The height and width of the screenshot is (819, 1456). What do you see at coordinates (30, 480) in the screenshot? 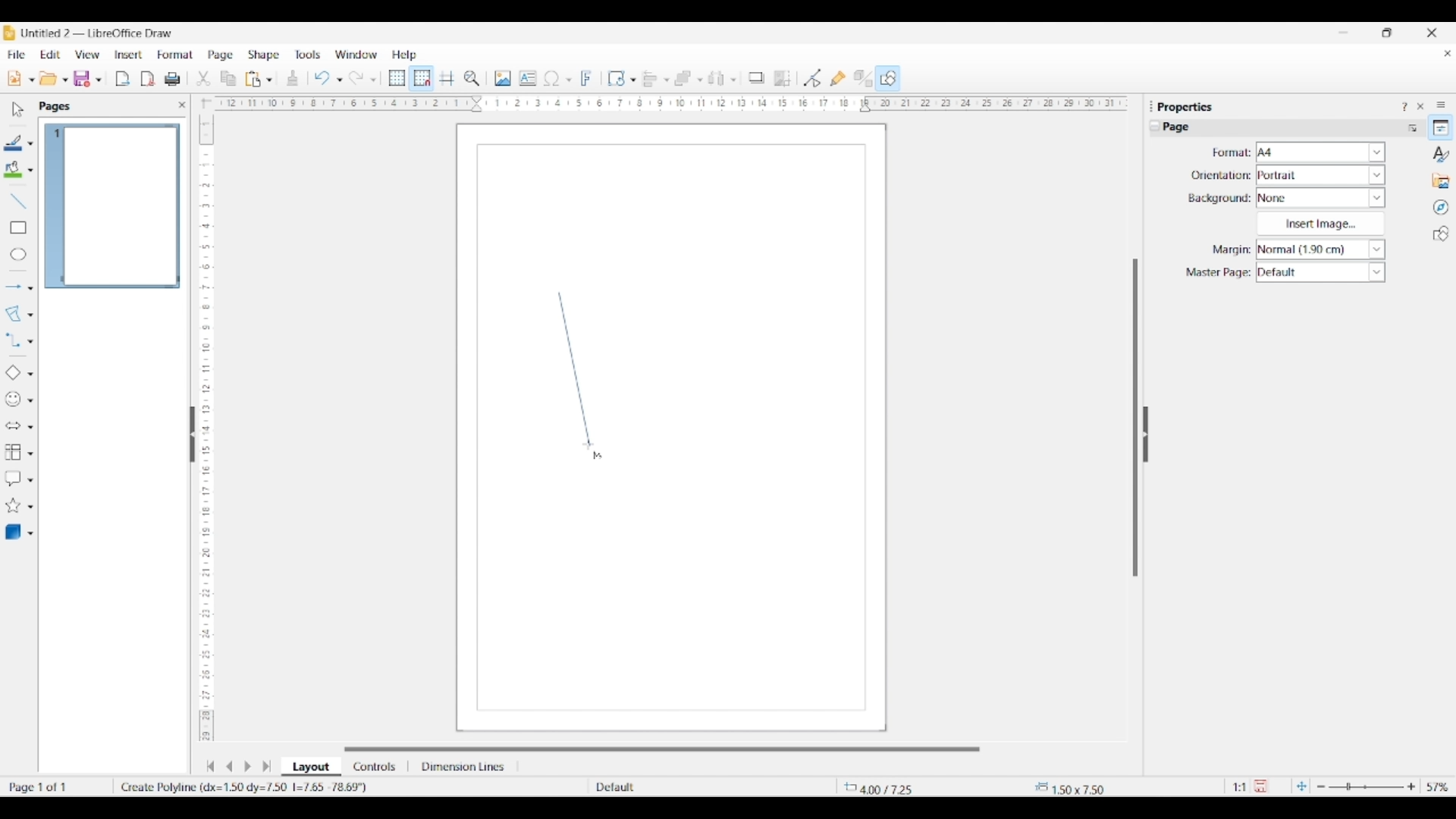
I see `Callout shape options` at bounding box center [30, 480].